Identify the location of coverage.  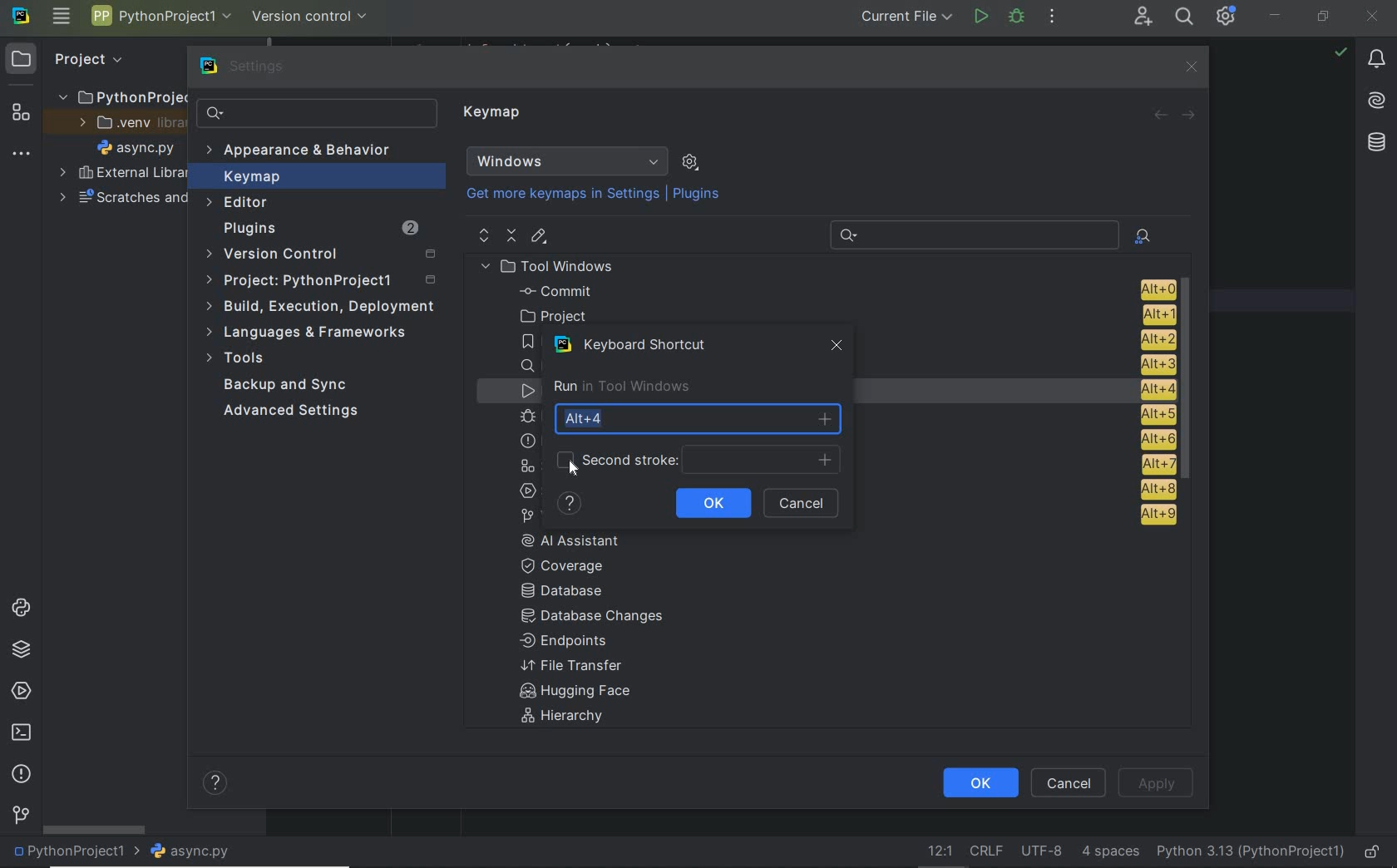
(572, 565).